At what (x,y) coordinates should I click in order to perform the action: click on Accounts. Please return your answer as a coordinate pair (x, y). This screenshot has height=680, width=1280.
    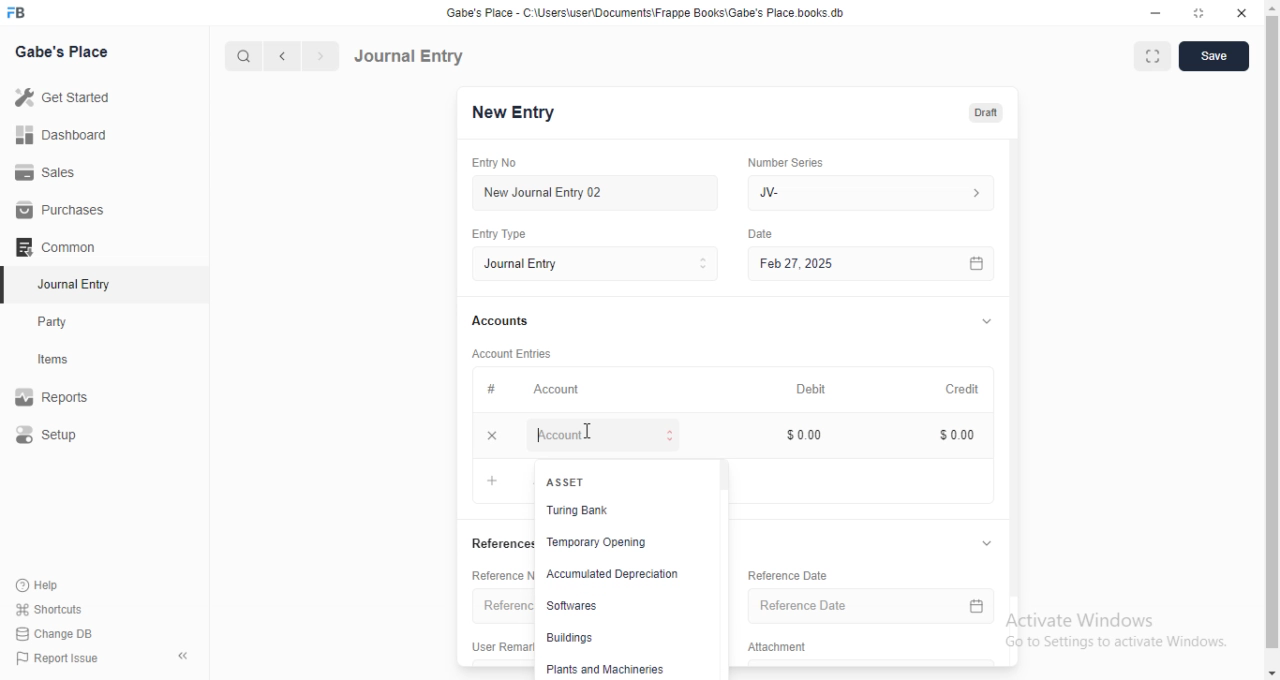
    Looking at the image, I should click on (507, 321).